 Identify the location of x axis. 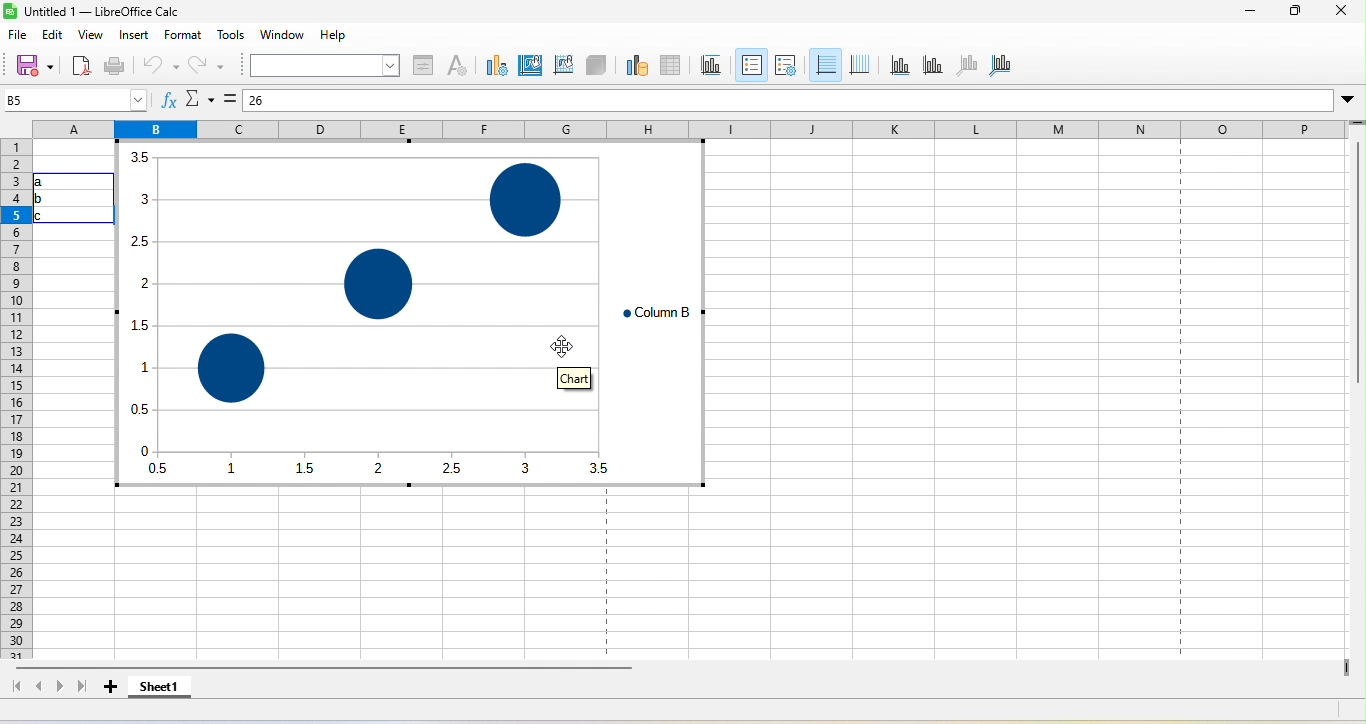
(896, 66).